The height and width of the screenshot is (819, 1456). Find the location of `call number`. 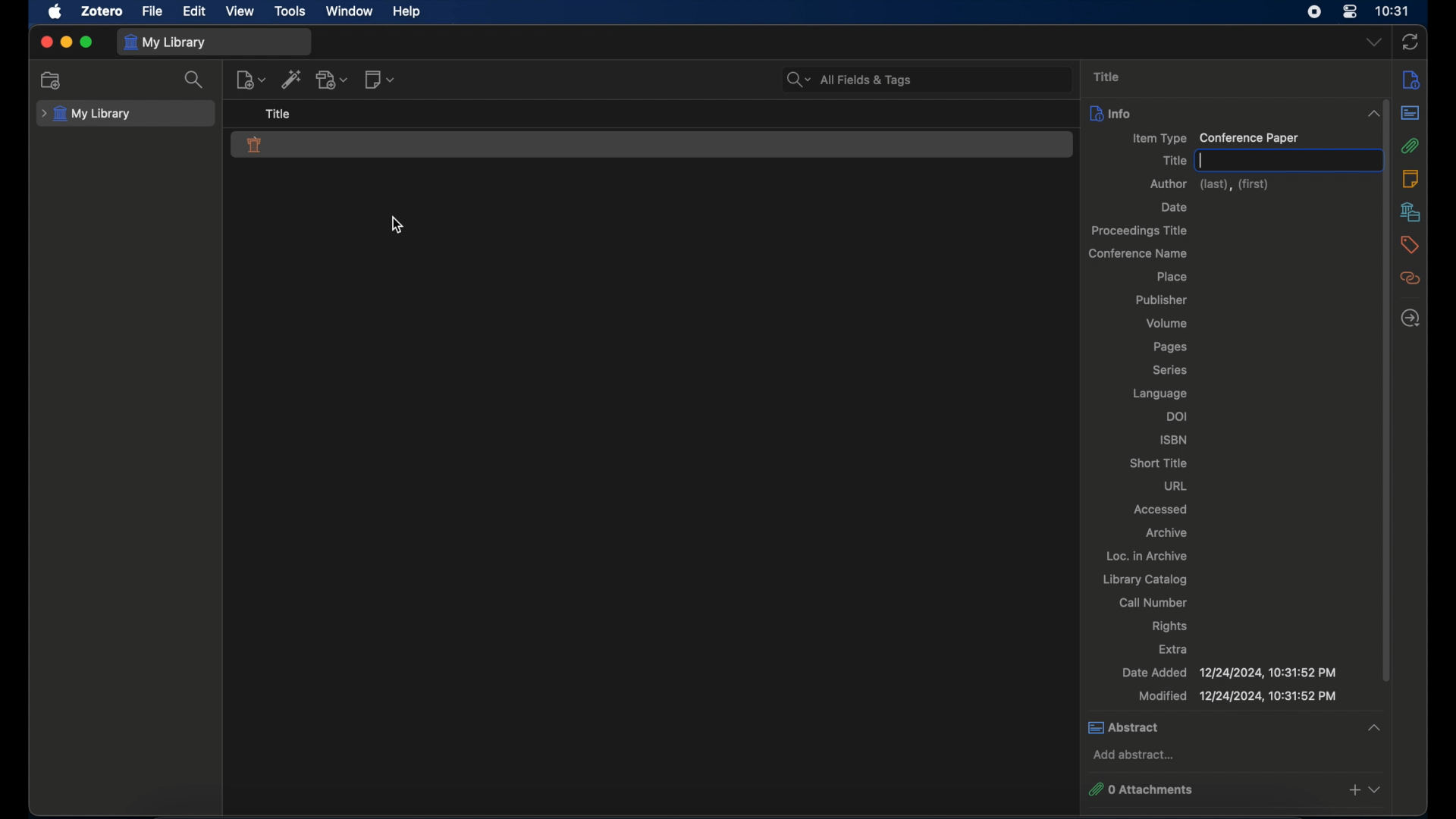

call number is located at coordinates (1153, 603).